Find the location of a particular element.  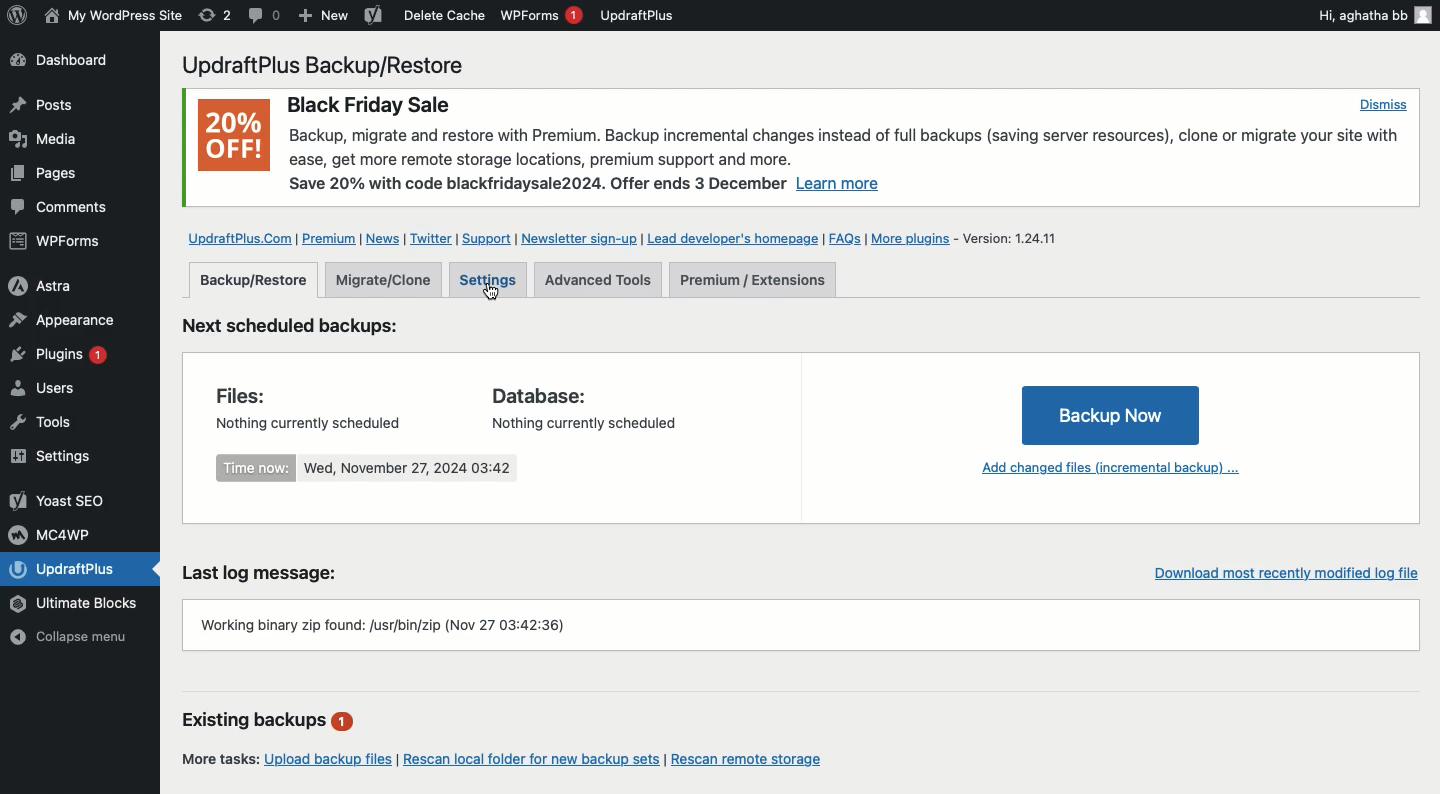

Newsletter sign up is located at coordinates (576, 238).